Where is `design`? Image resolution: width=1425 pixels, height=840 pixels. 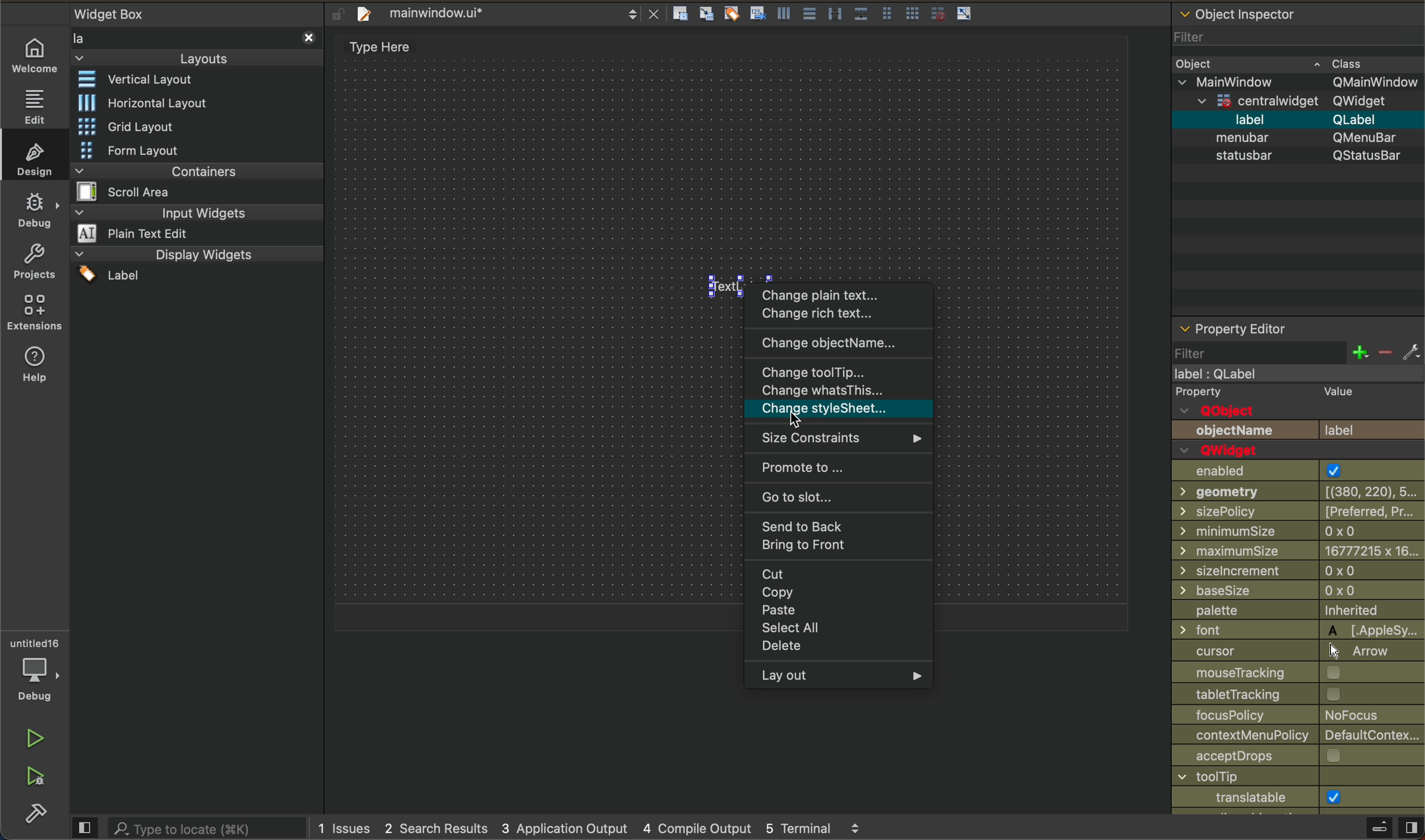 design is located at coordinates (38, 158).